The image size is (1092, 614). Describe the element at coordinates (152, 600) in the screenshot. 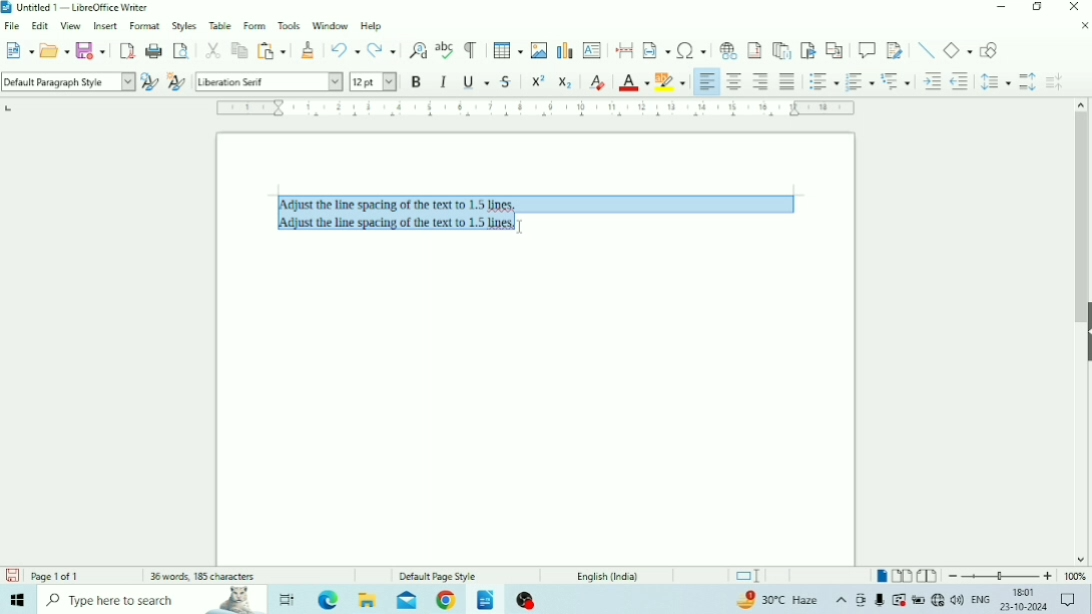

I see `Type here to search` at that location.